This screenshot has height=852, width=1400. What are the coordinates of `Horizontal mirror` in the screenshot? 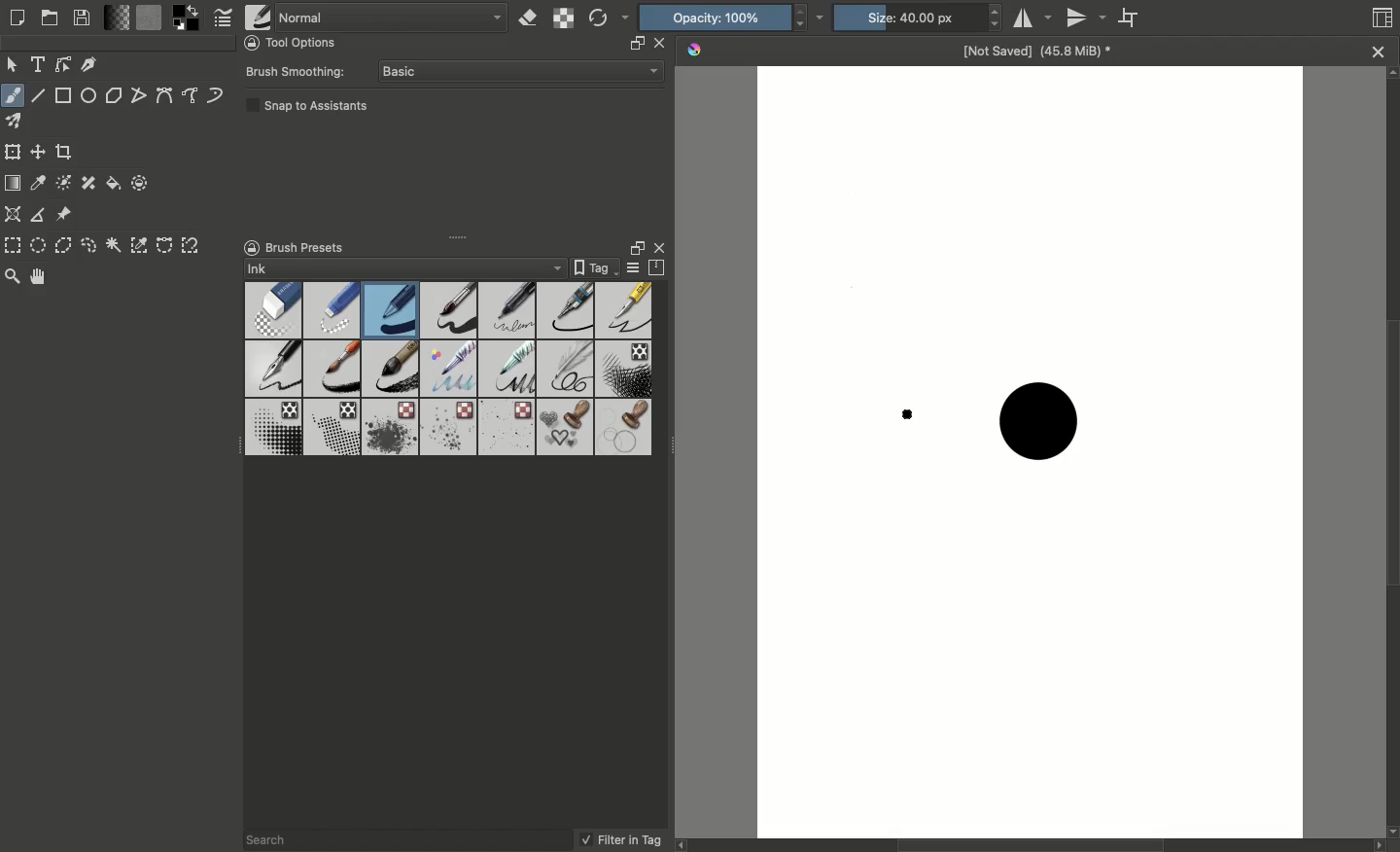 It's located at (1033, 19).